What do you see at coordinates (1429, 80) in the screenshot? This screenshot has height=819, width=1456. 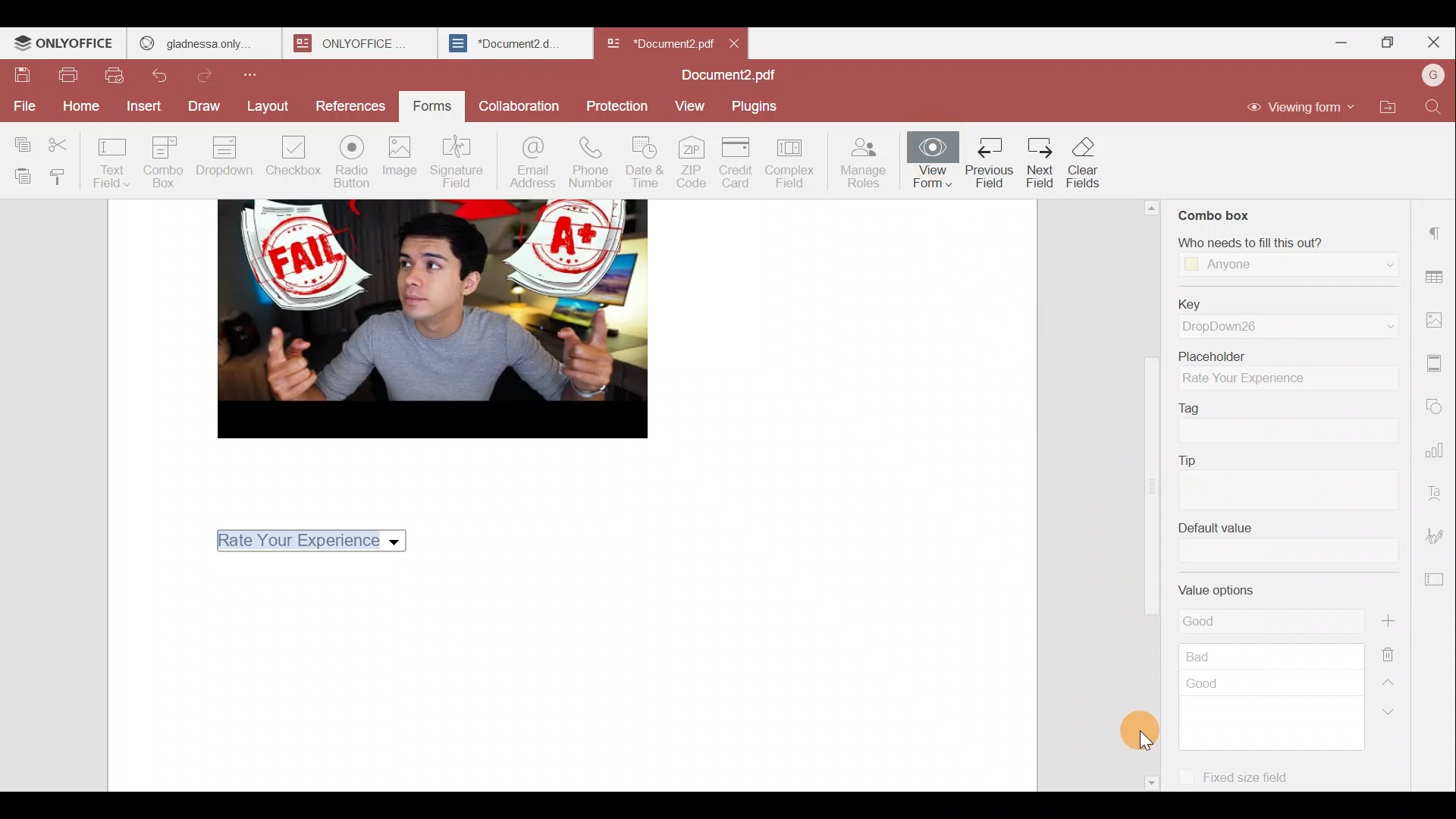 I see `Account name` at bounding box center [1429, 80].